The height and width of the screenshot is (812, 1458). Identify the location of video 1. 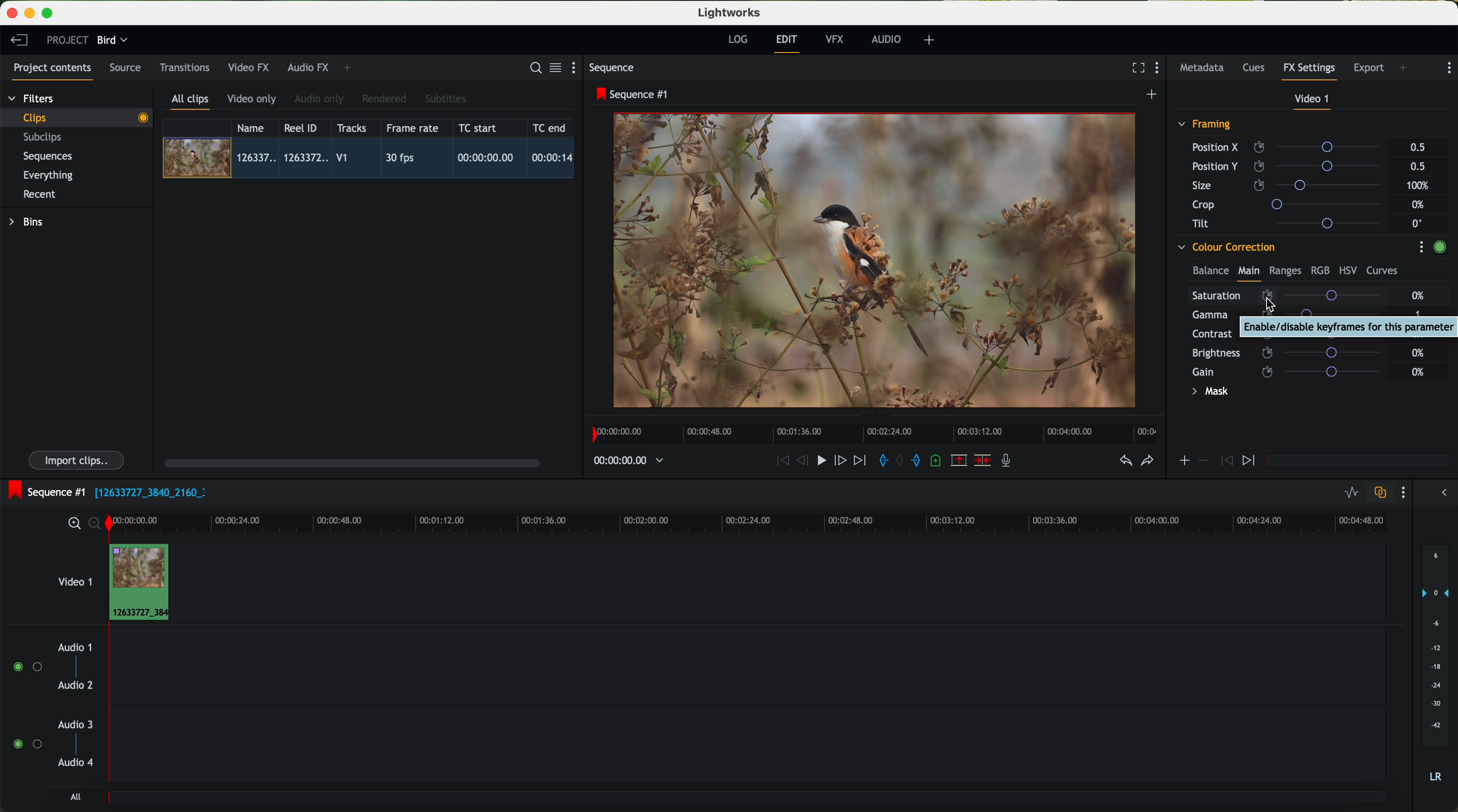
(1313, 101).